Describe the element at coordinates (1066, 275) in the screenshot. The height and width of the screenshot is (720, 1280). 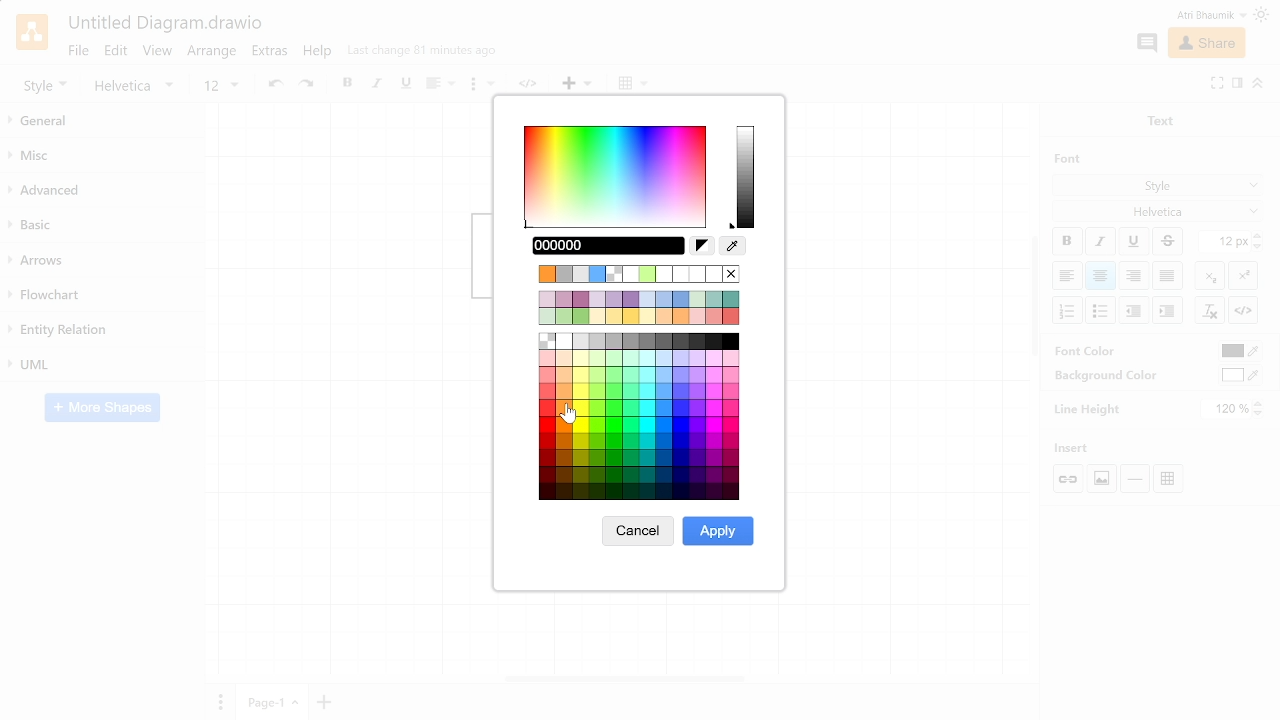
I see `Allign left` at that location.